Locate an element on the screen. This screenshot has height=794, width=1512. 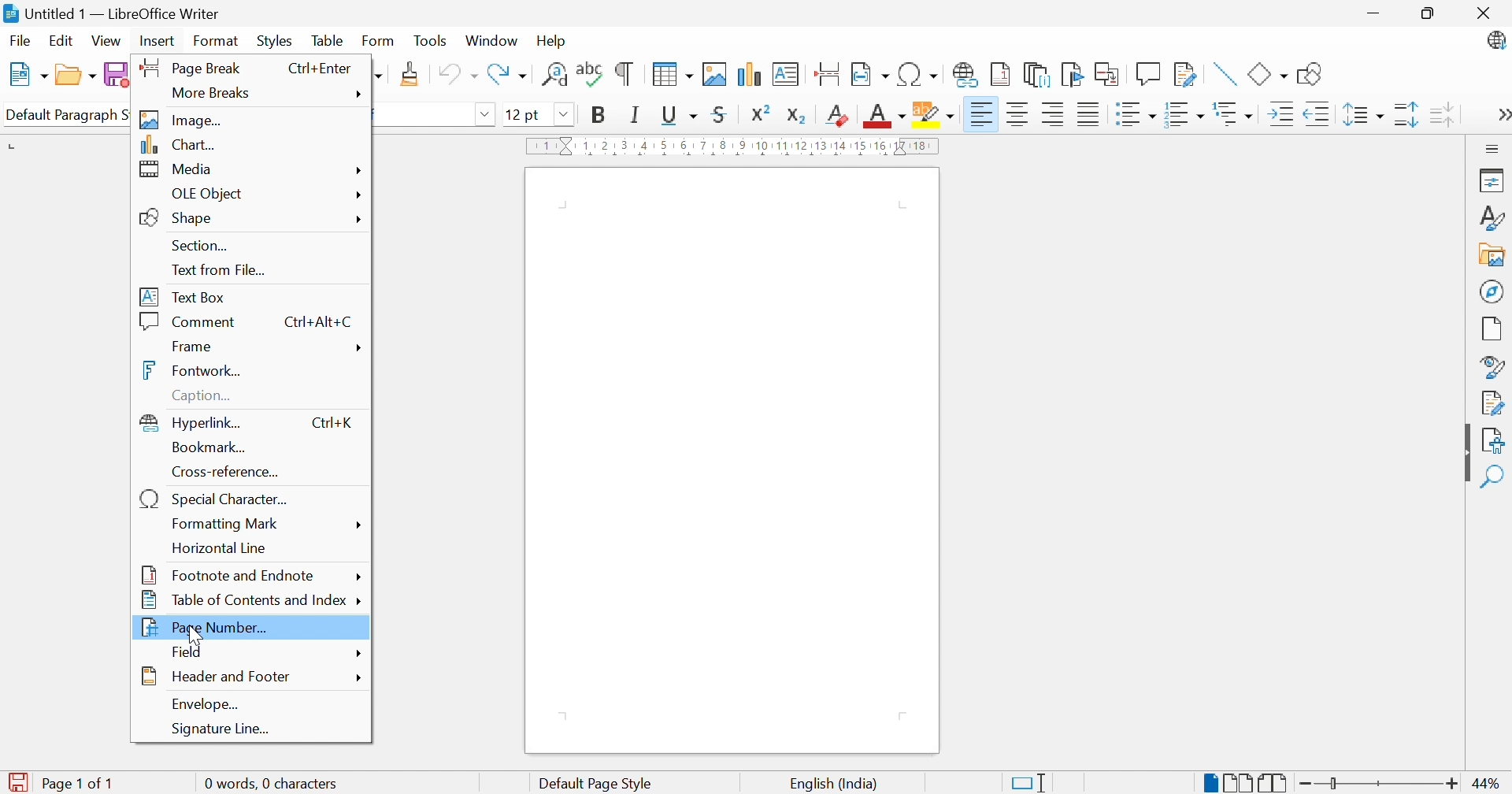
Signature line... is located at coordinates (223, 729).